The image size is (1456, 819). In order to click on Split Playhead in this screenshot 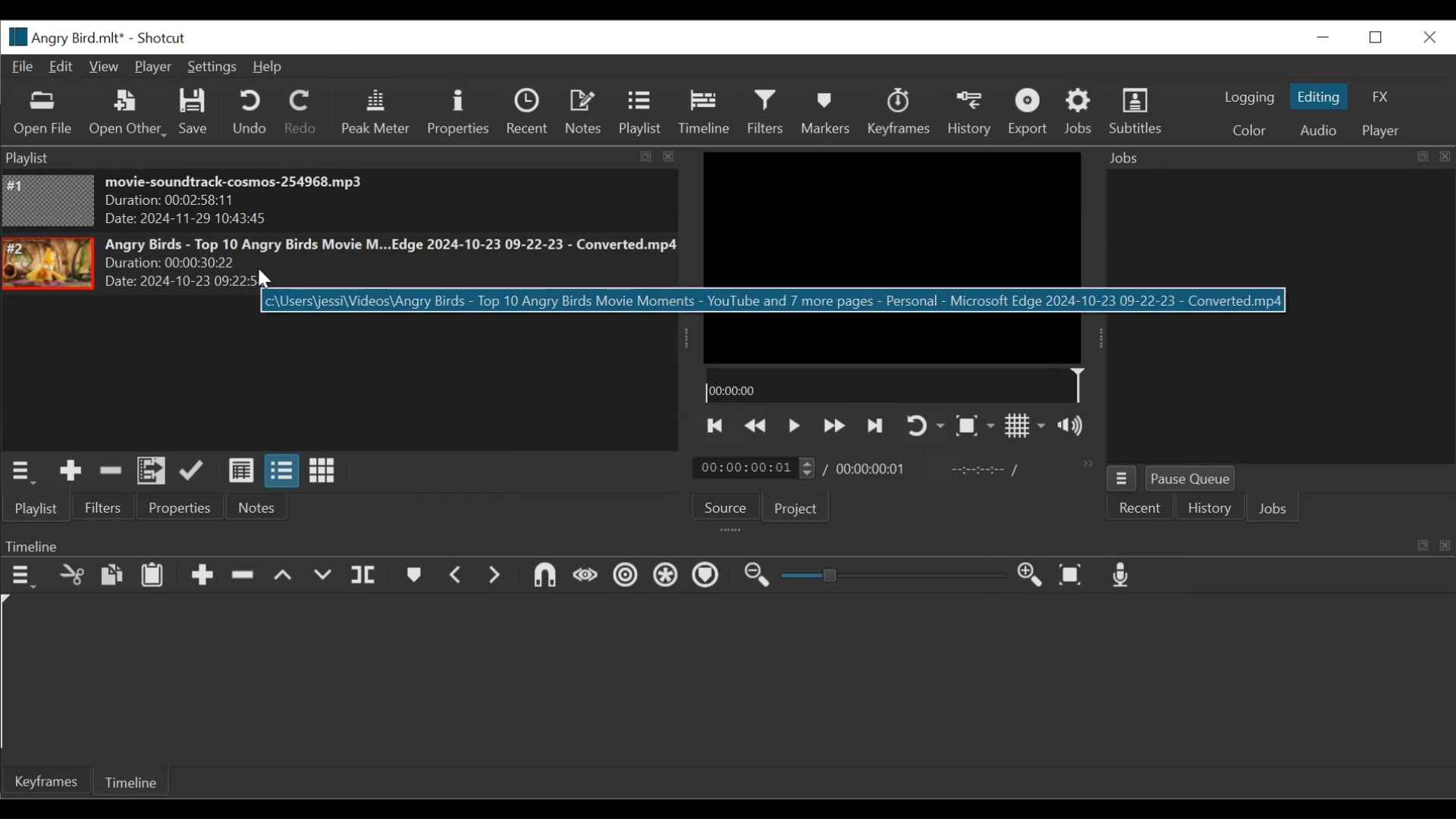, I will do `click(363, 576)`.